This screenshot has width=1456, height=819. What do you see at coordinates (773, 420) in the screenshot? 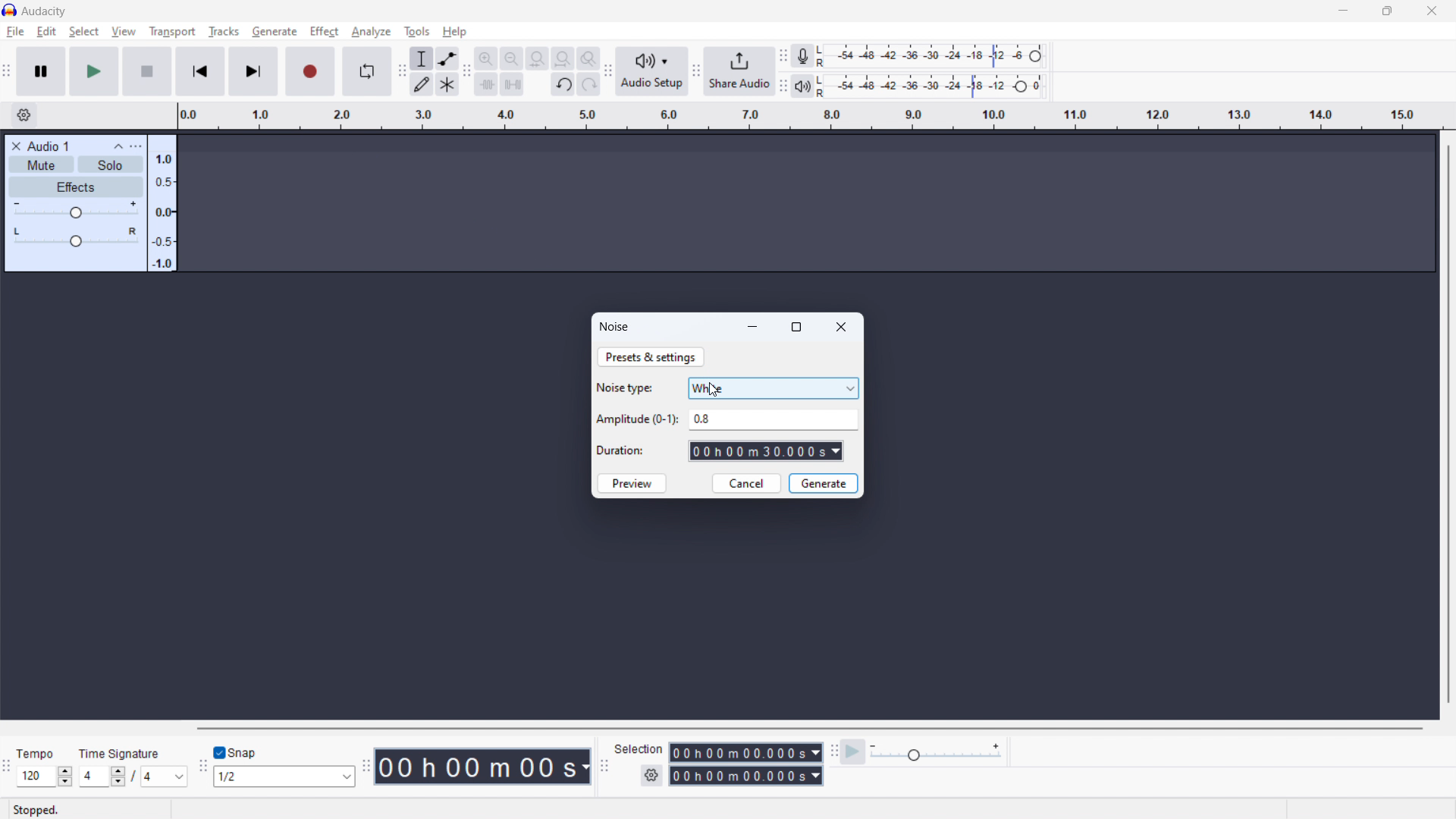
I see `amplitude` at bounding box center [773, 420].